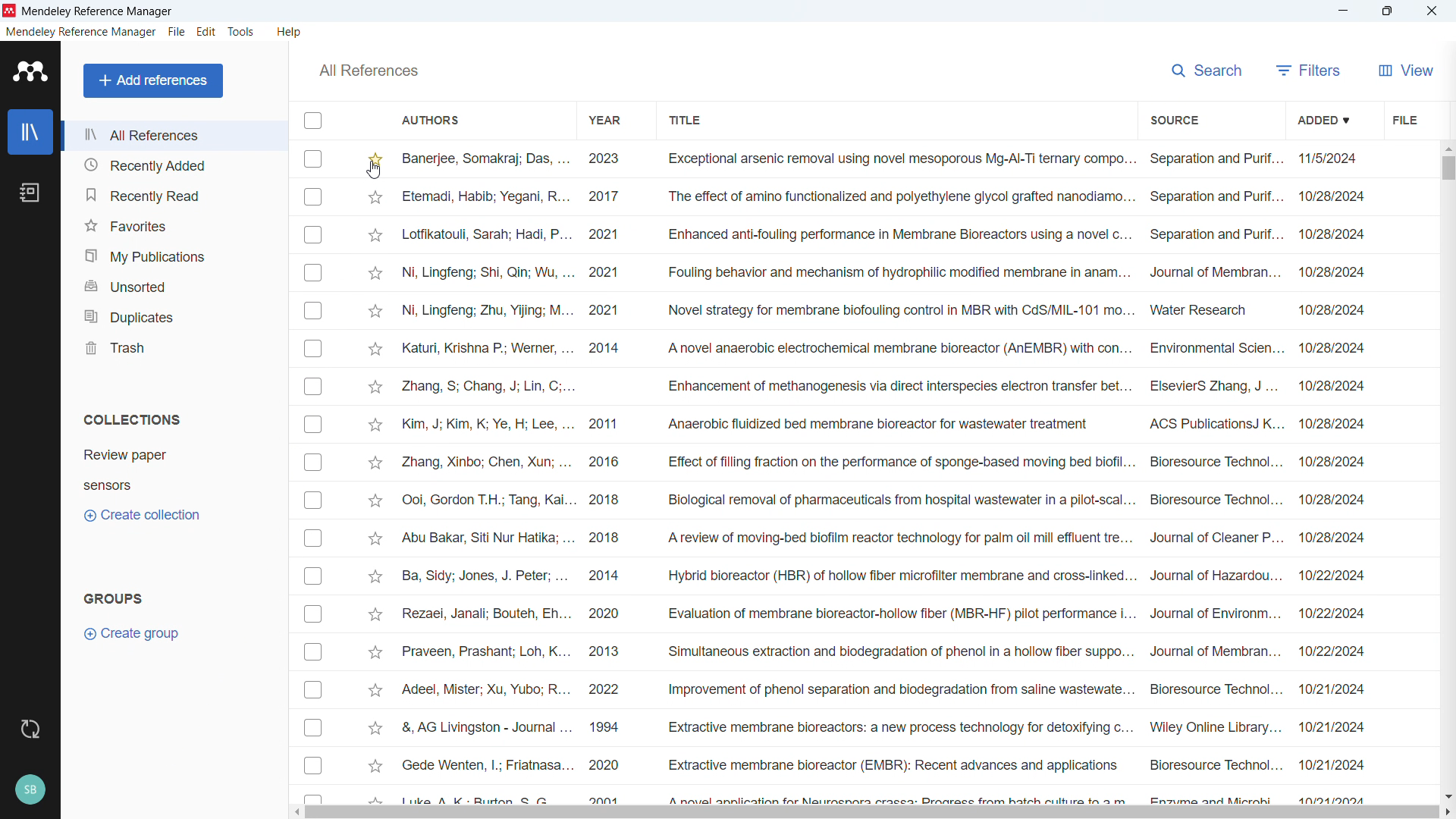 The width and height of the screenshot is (1456, 819). Describe the element at coordinates (312, 121) in the screenshot. I see `Select all ` at that location.